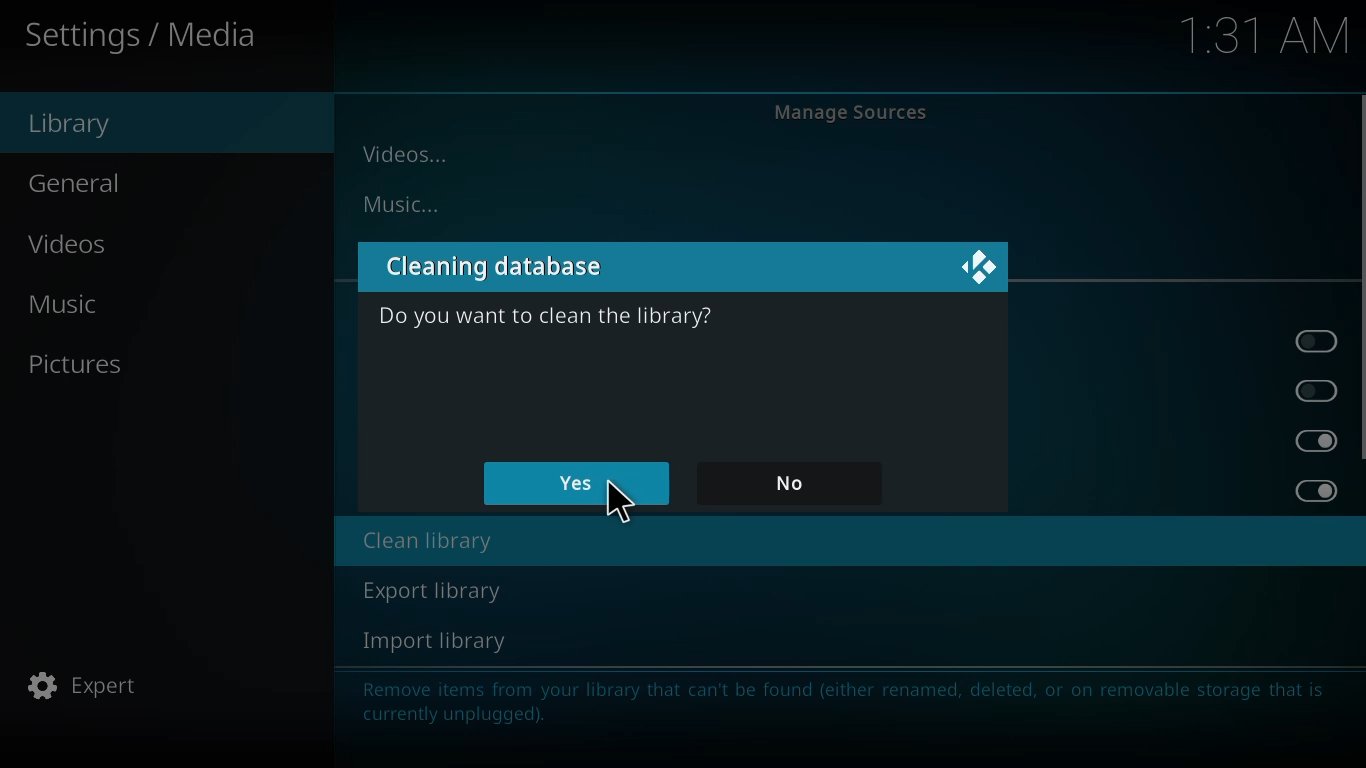 The height and width of the screenshot is (768, 1366). What do you see at coordinates (976, 269) in the screenshot?
I see `close` at bounding box center [976, 269].